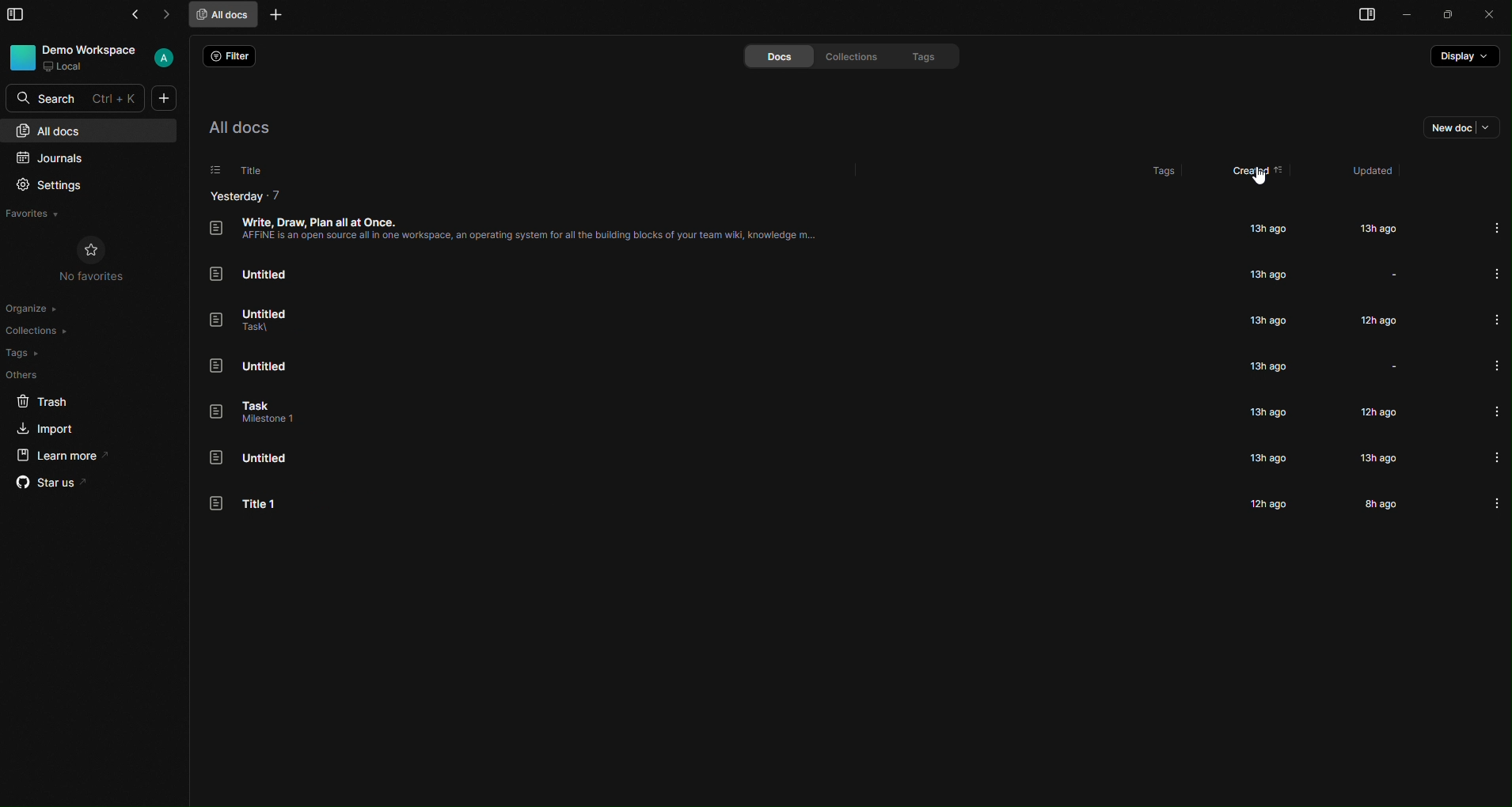  I want to click on created, so click(1259, 172).